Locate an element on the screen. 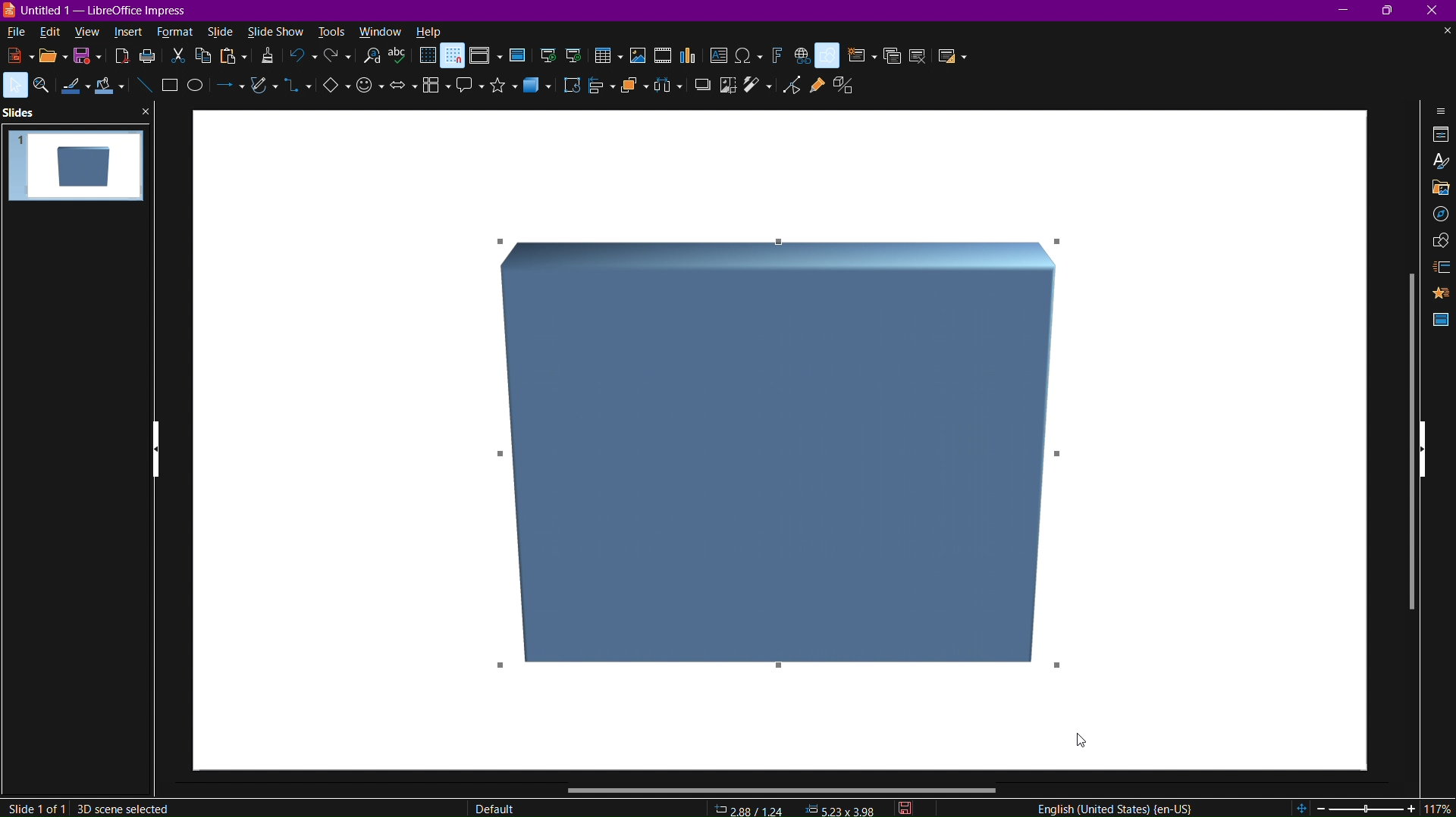 This screenshot has width=1456, height=817. cursor is located at coordinates (1081, 739).